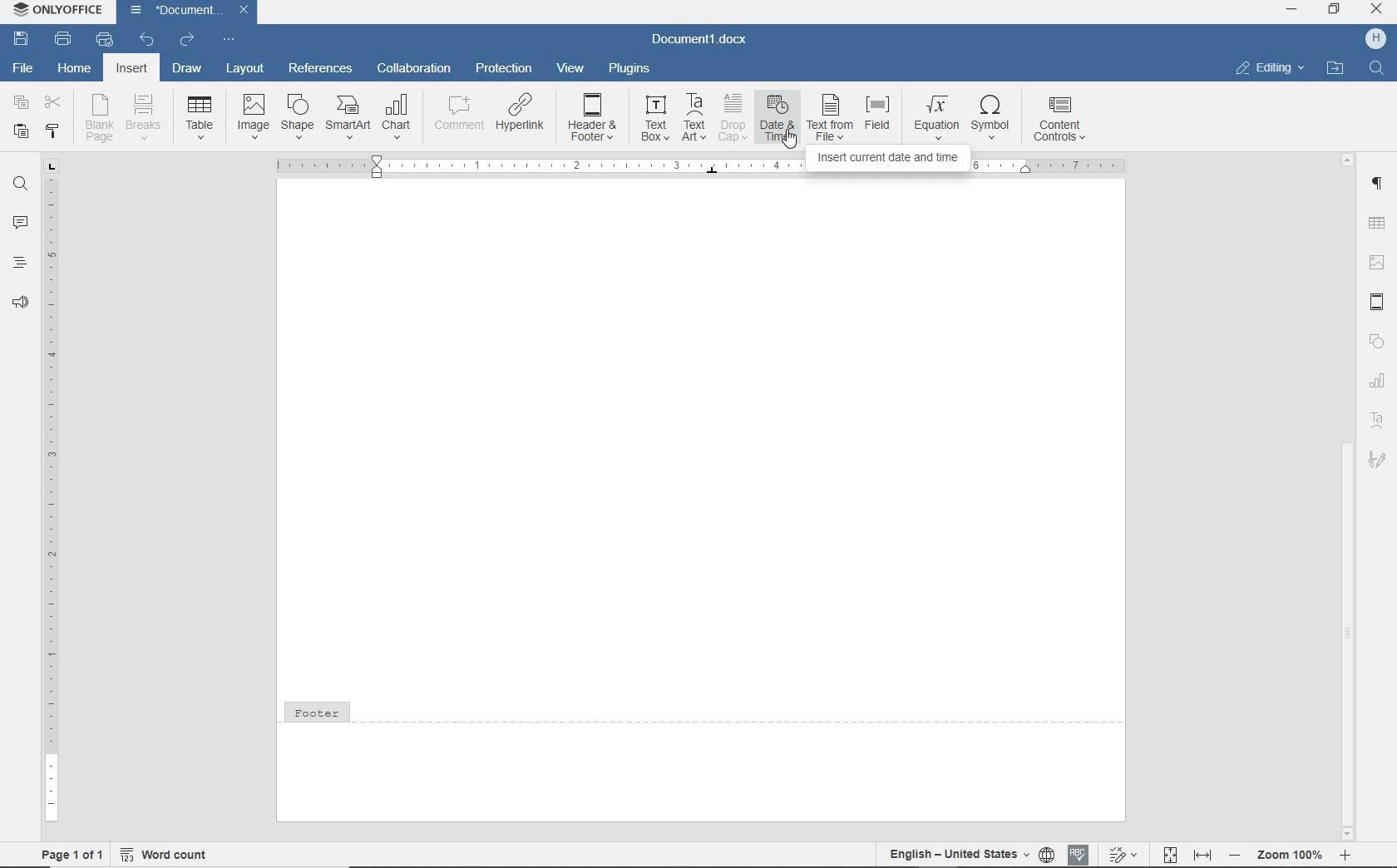 This screenshot has width=1397, height=868. I want to click on customize quick access toolbar, so click(229, 40).